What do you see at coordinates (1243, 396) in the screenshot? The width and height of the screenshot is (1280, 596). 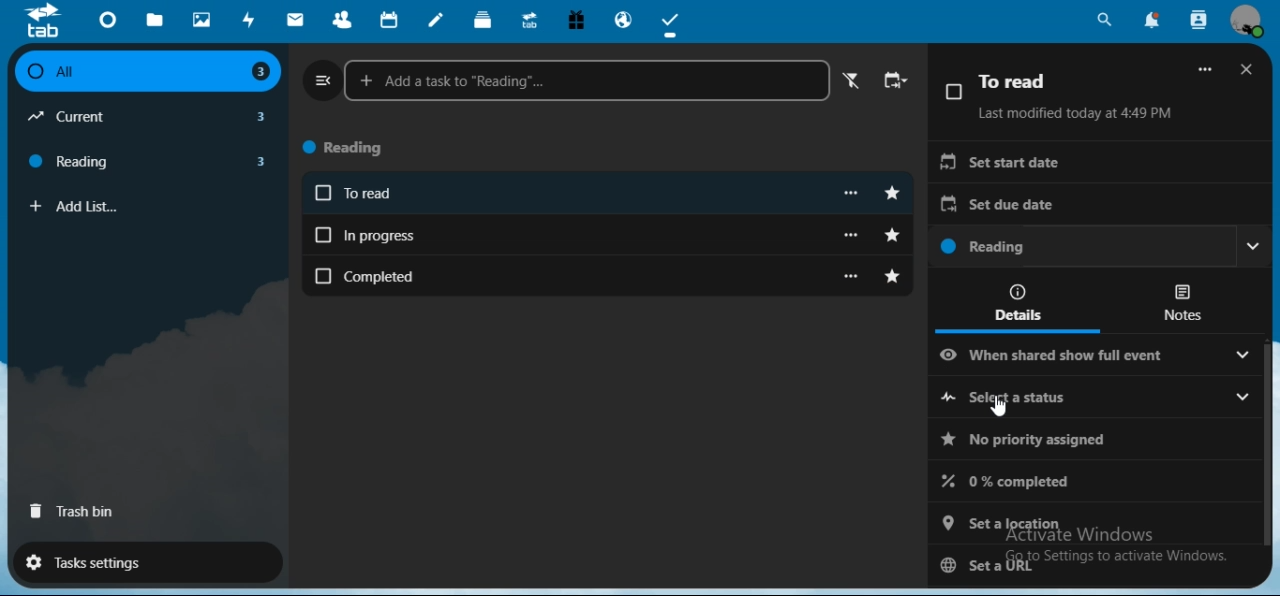 I see `Drop down` at bounding box center [1243, 396].